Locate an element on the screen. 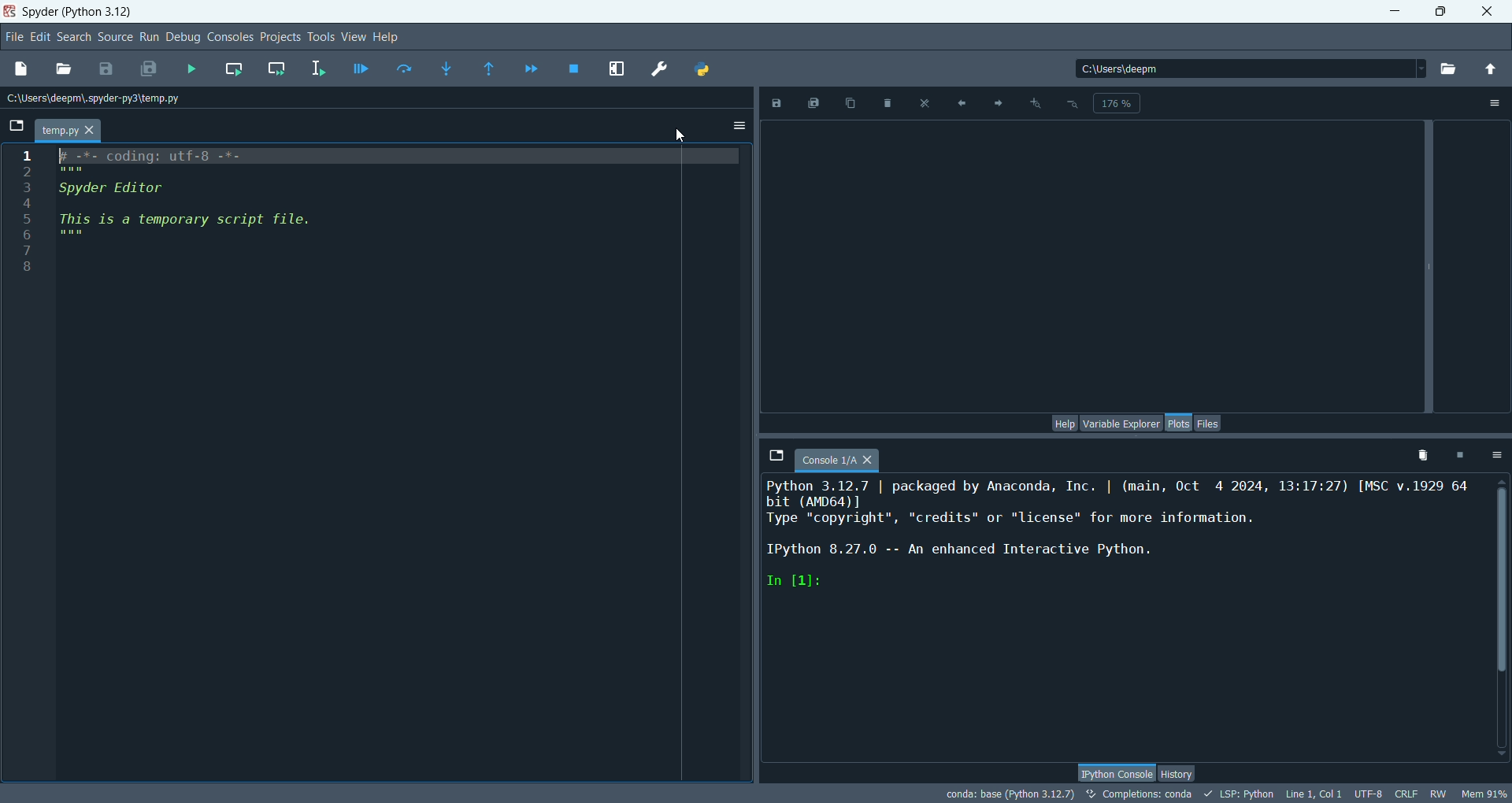 The width and height of the screenshot is (1512, 803). copy  is located at coordinates (854, 102).